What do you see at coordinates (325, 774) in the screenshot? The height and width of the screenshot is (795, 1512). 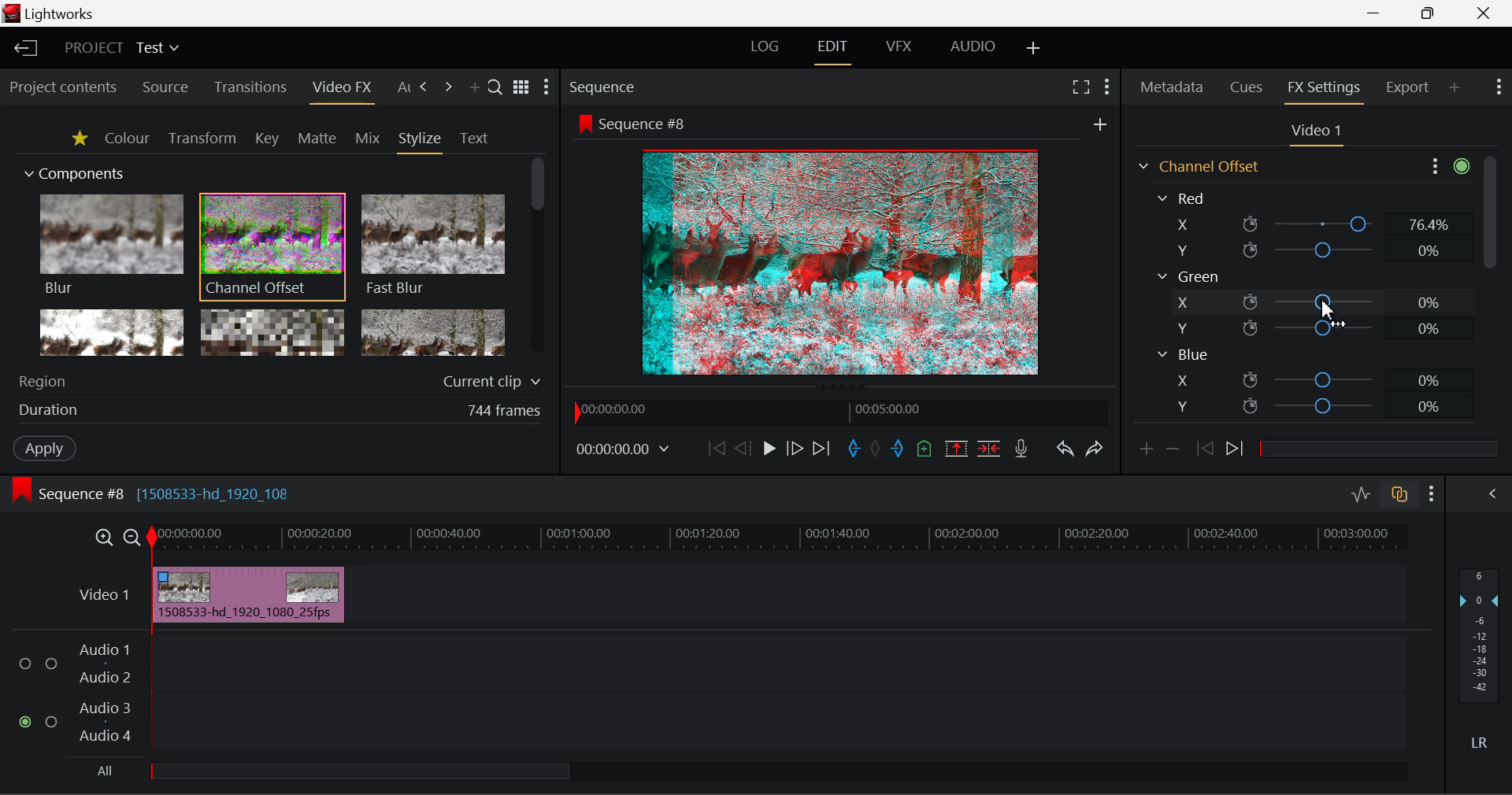 I see `all` at bounding box center [325, 774].